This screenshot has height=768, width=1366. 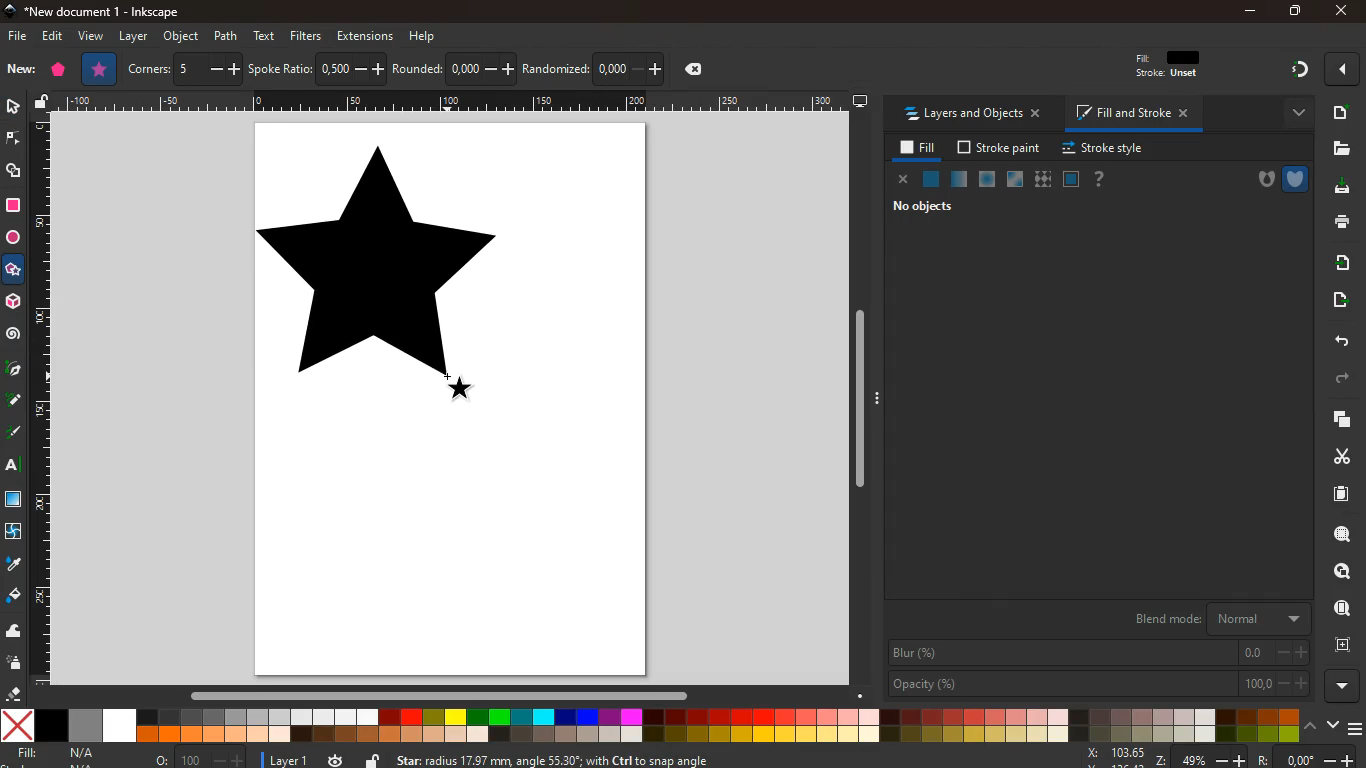 What do you see at coordinates (454, 67) in the screenshot?
I see `rounded` at bounding box center [454, 67].